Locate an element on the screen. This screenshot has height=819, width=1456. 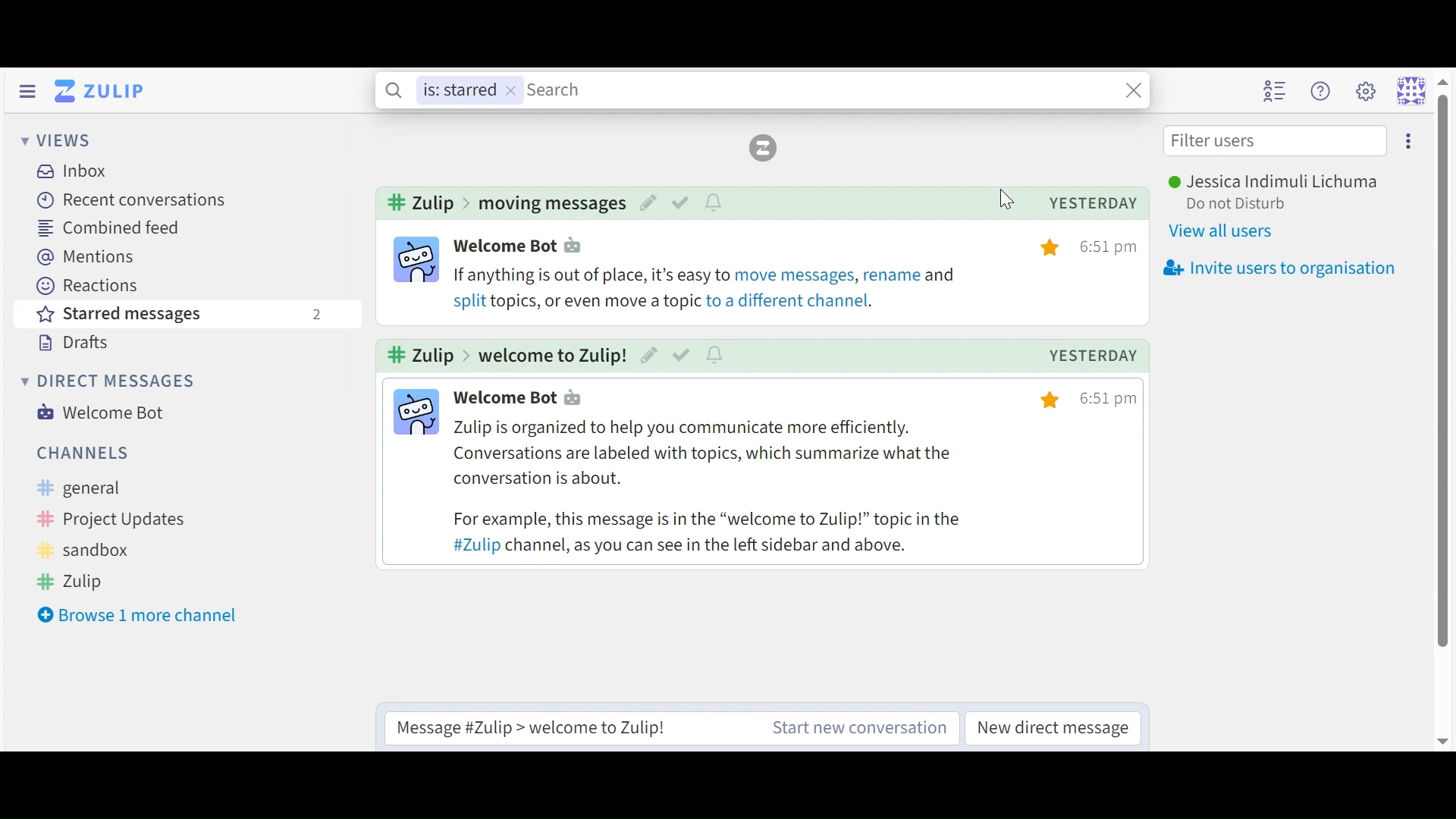
message is located at coordinates (735, 287).